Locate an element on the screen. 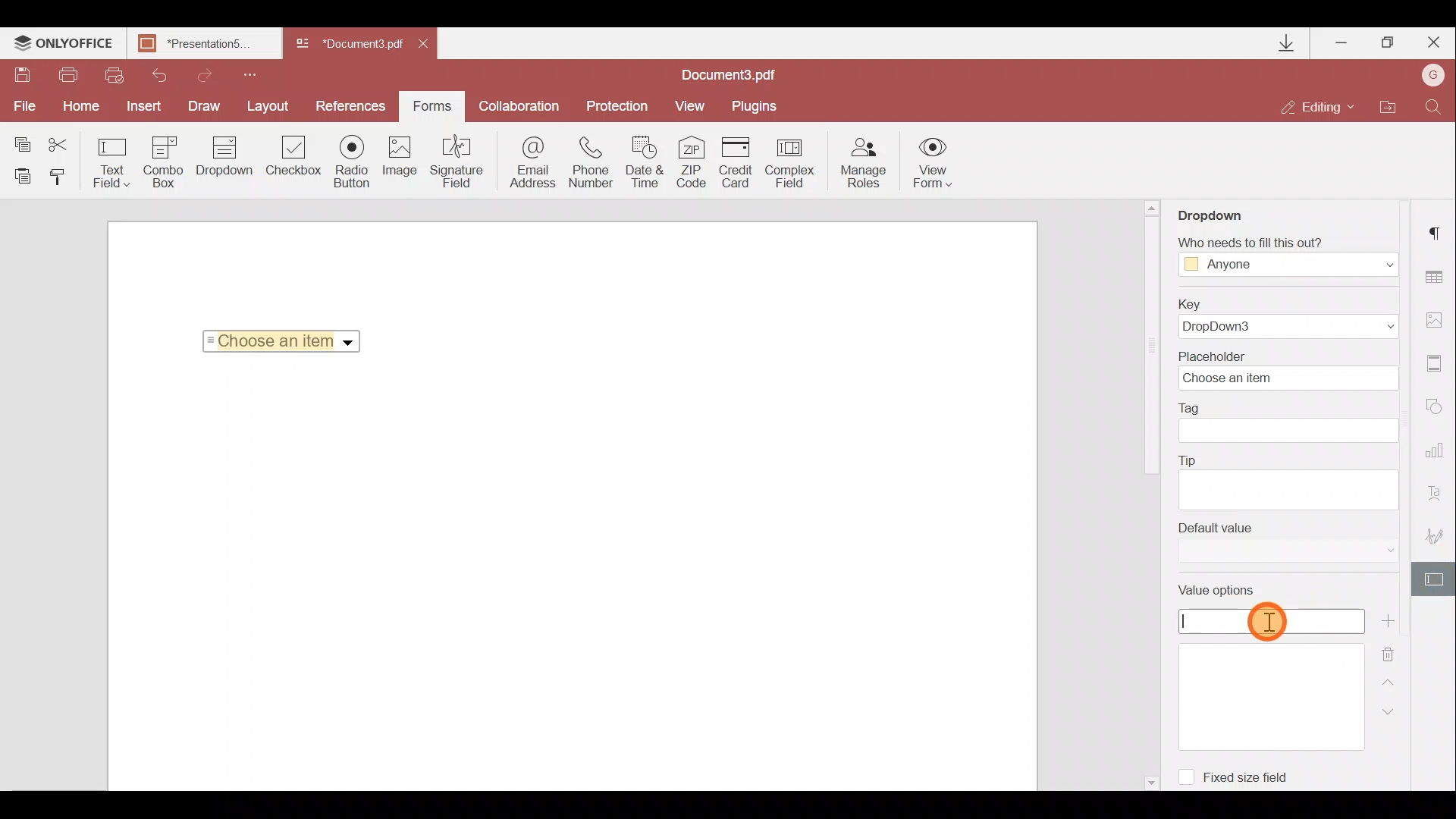  File is located at coordinates (26, 108).